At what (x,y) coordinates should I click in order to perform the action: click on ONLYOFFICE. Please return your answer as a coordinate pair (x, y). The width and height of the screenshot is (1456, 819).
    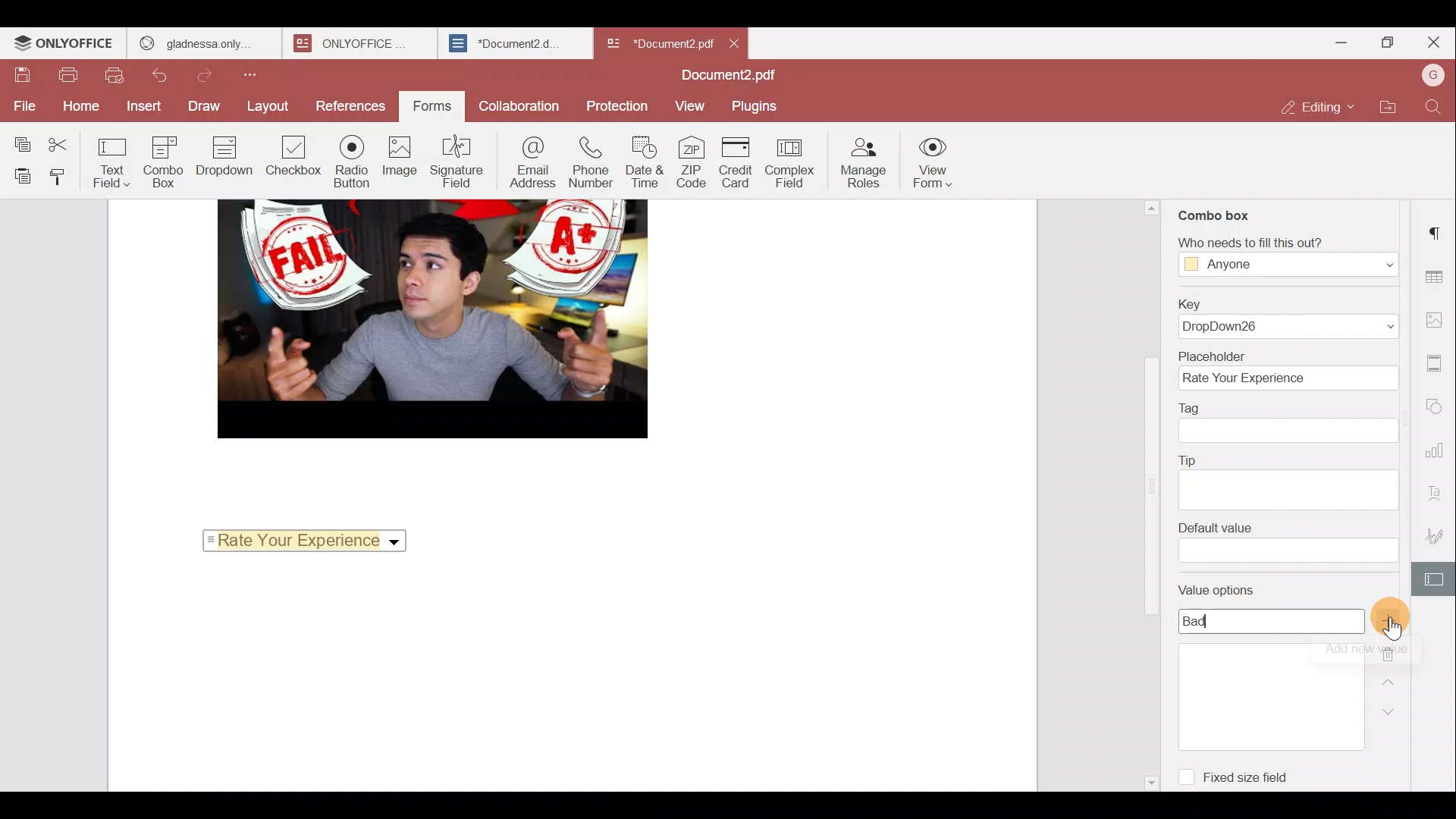
    Looking at the image, I should click on (64, 45).